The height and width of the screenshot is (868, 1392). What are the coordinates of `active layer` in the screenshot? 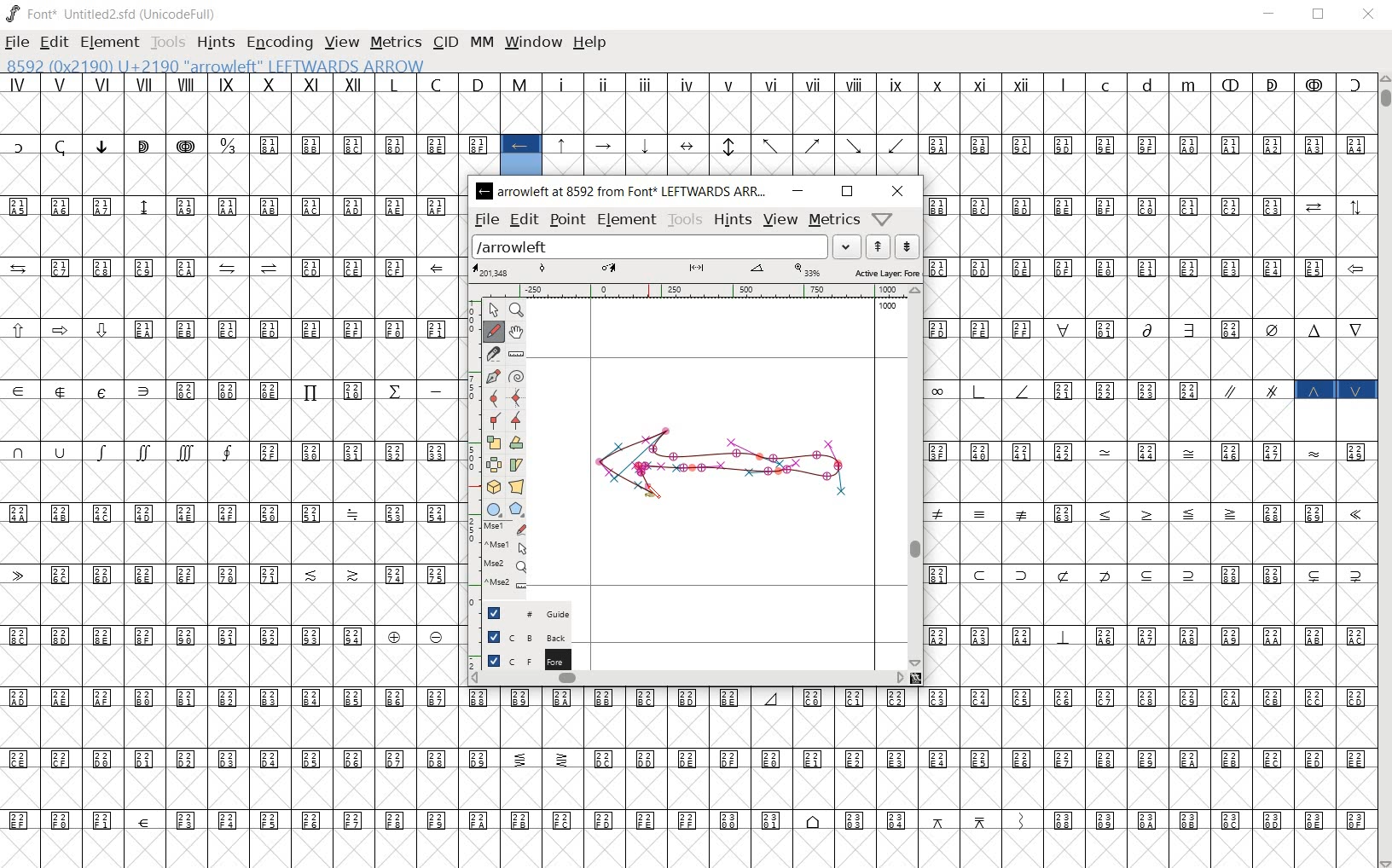 It's located at (696, 271).